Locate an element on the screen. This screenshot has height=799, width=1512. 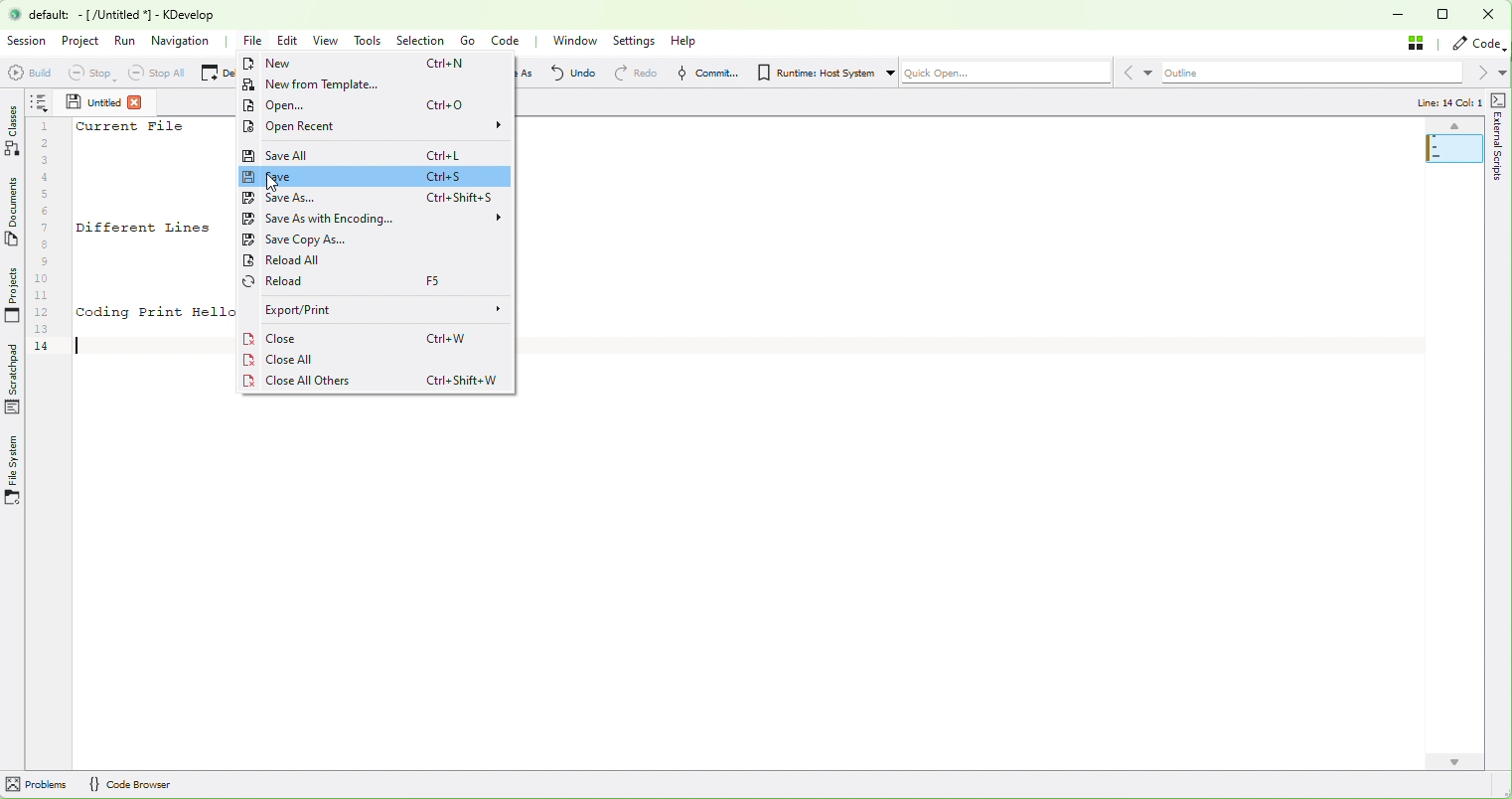
Navigation is located at coordinates (185, 44).